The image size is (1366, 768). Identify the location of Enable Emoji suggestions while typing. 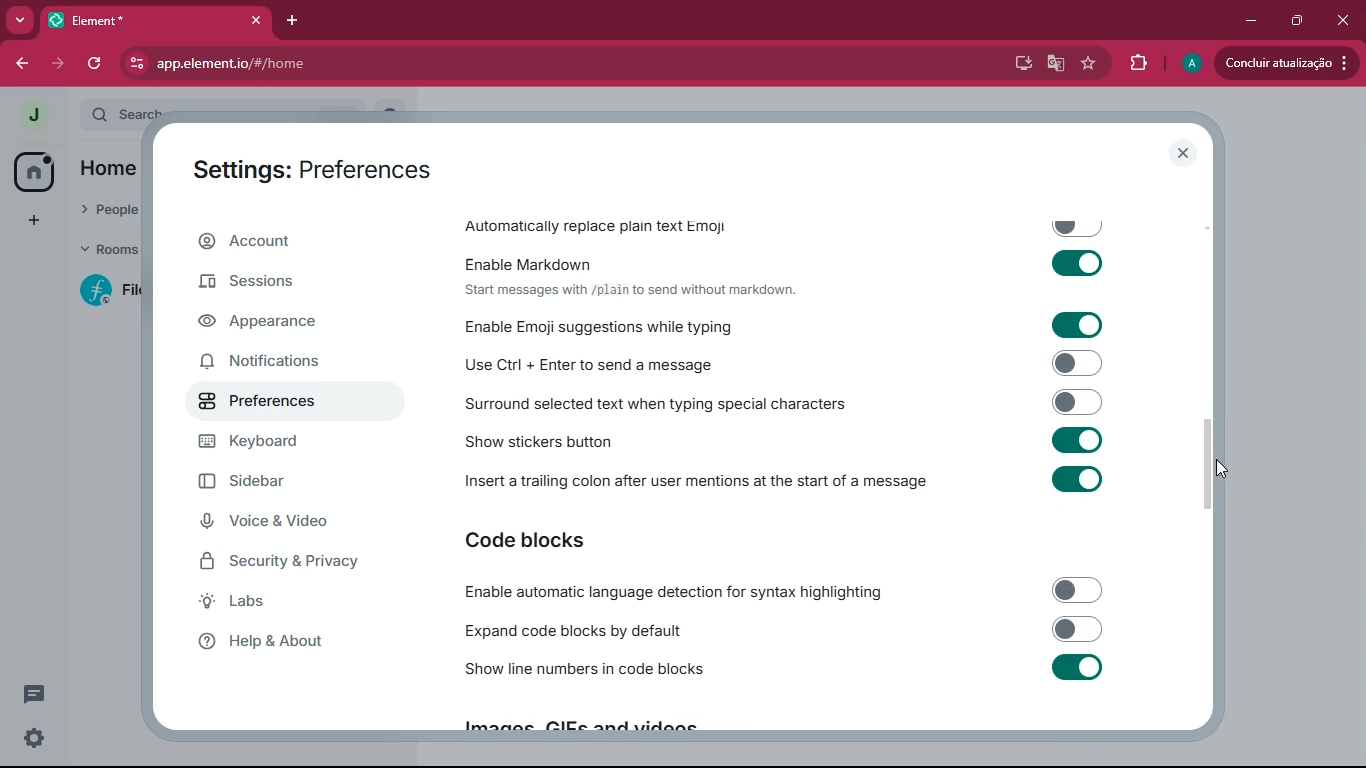
(794, 325).